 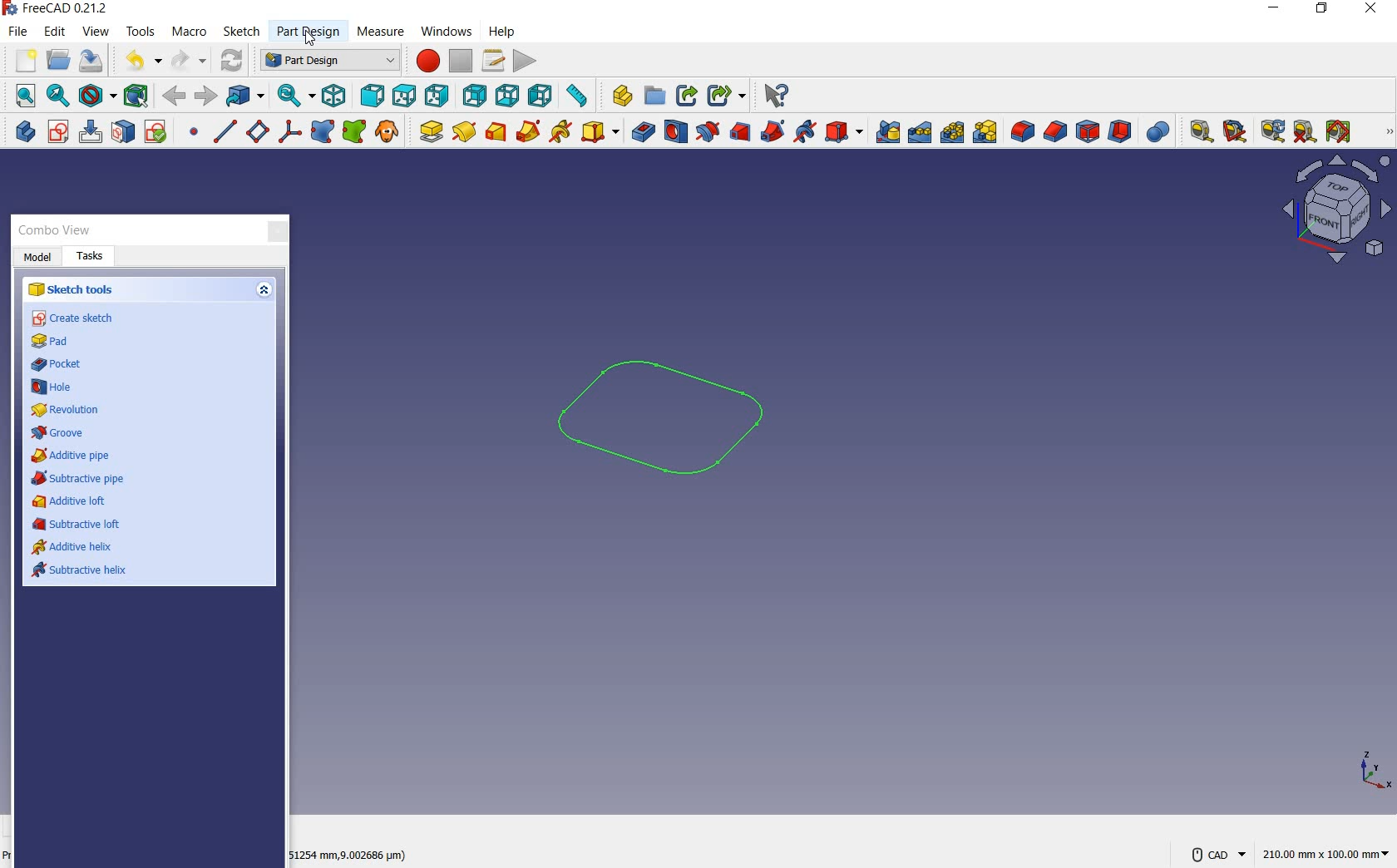 What do you see at coordinates (739, 131) in the screenshot?
I see `subtractive loft` at bounding box center [739, 131].